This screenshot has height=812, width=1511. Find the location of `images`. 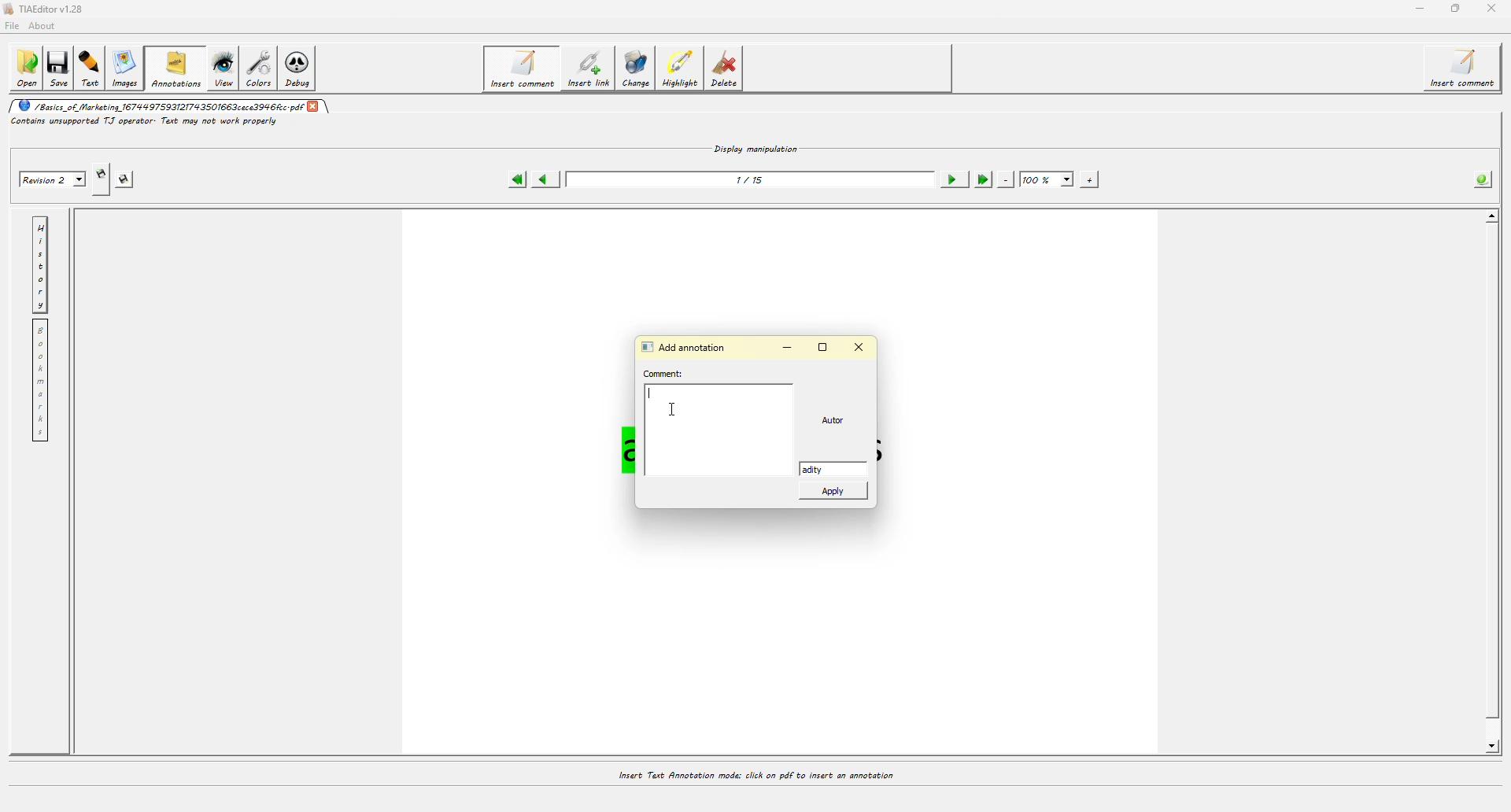

images is located at coordinates (127, 69).